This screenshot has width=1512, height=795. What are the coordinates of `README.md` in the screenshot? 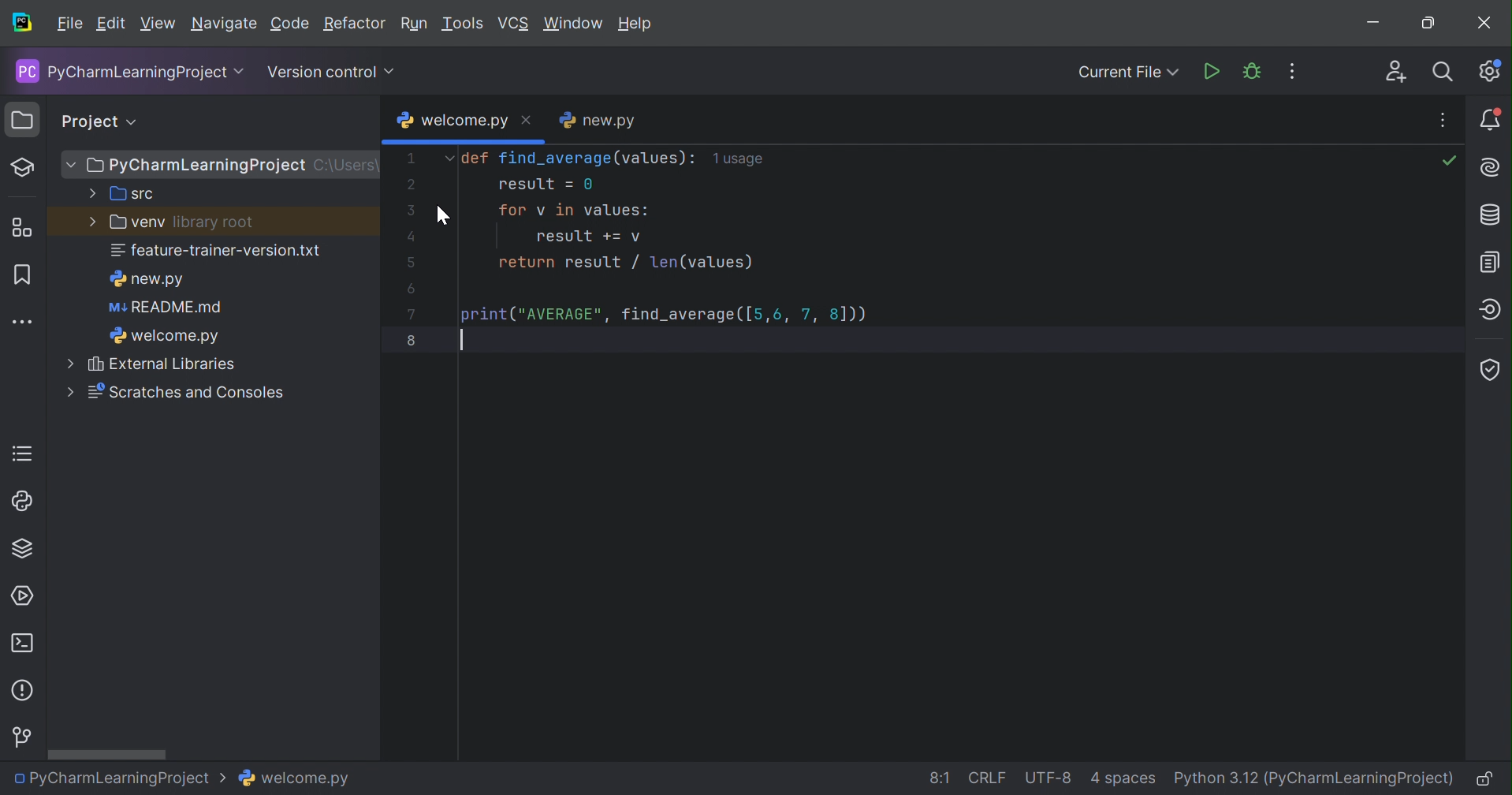 It's located at (165, 308).